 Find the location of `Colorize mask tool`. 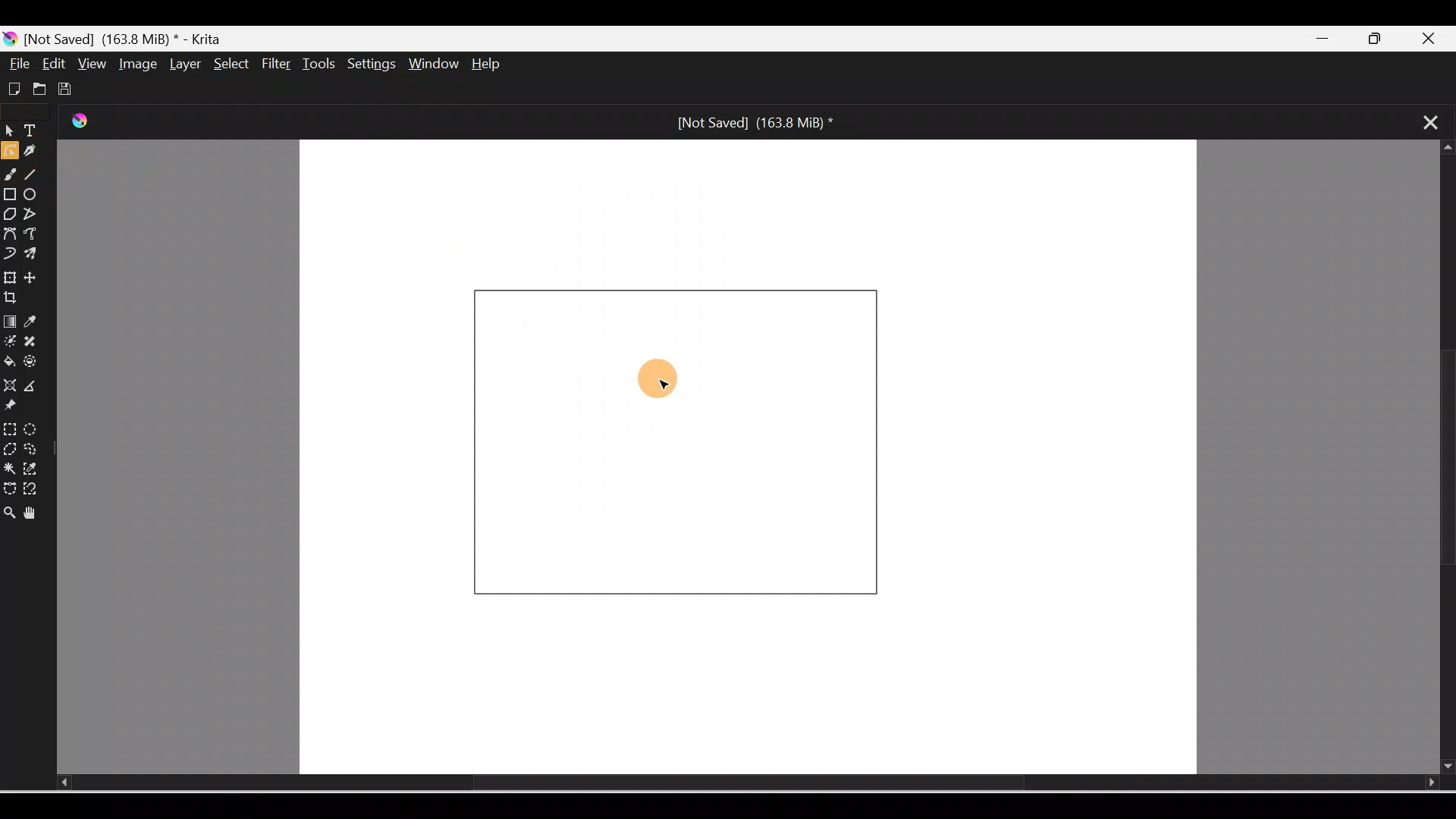

Colorize mask tool is located at coordinates (10, 342).